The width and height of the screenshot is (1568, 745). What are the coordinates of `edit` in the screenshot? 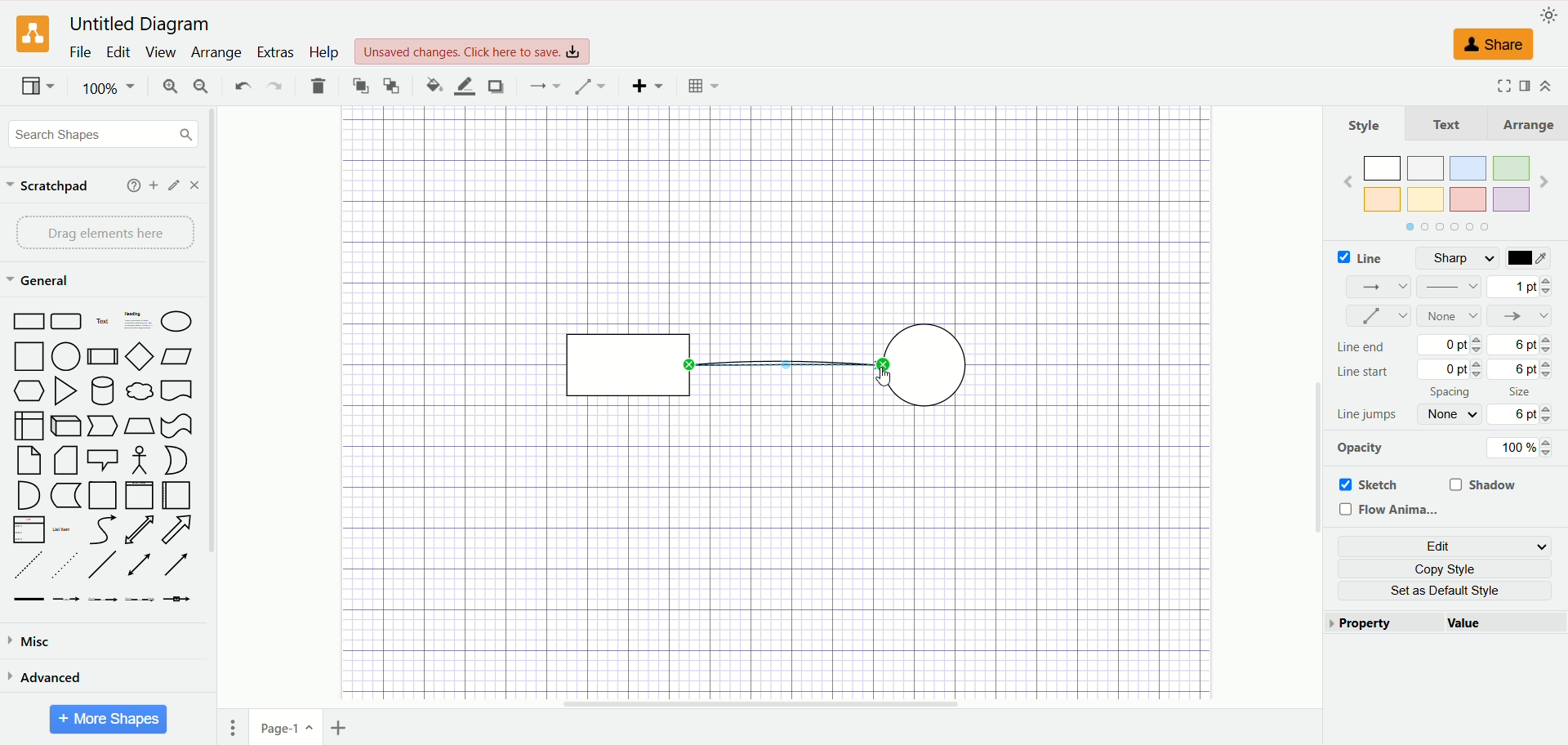 It's located at (1447, 546).